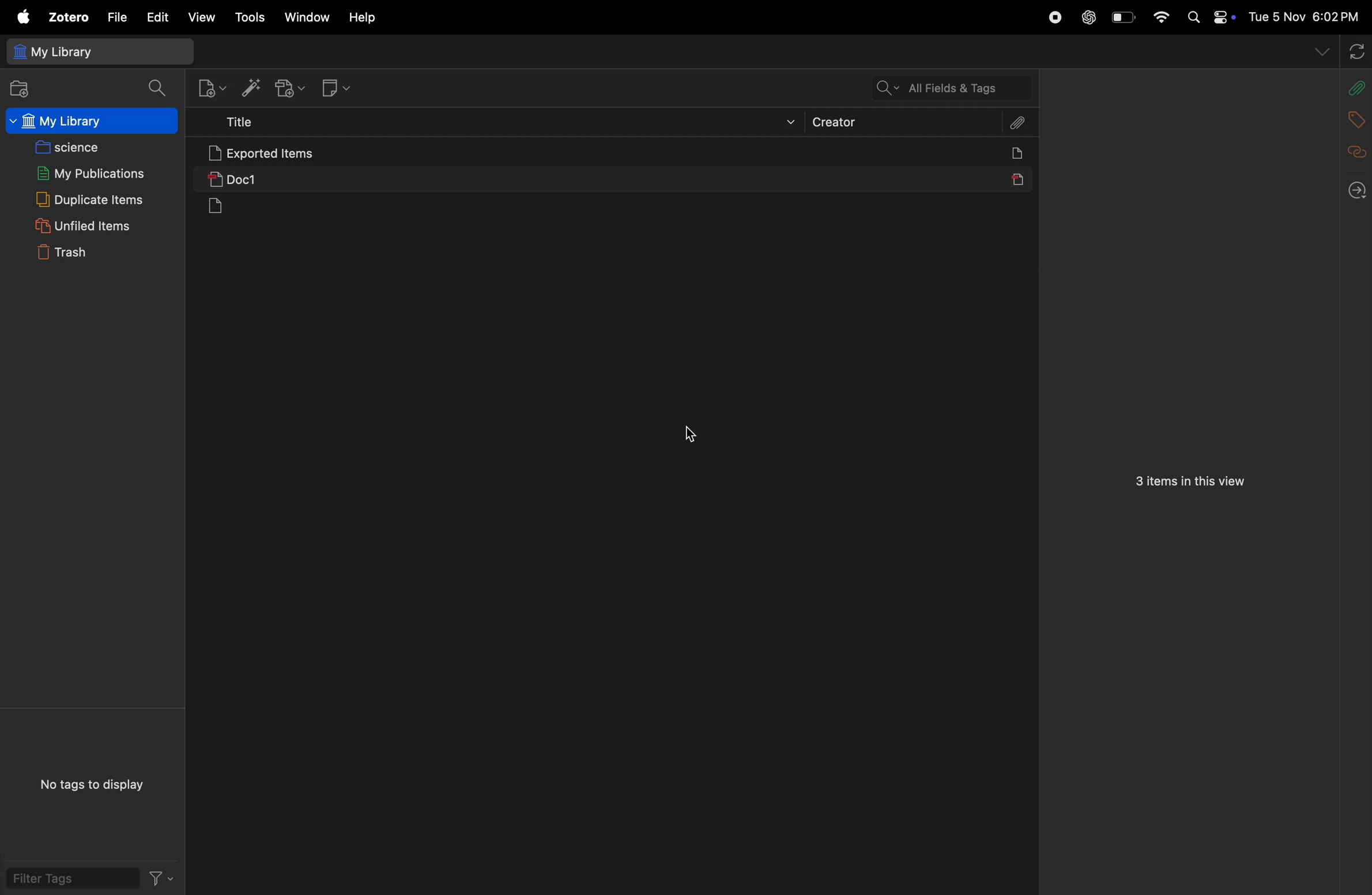 This screenshot has height=895, width=1372. Describe the element at coordinates (1027, 153) in the screenshot. I see `docs` at that location.